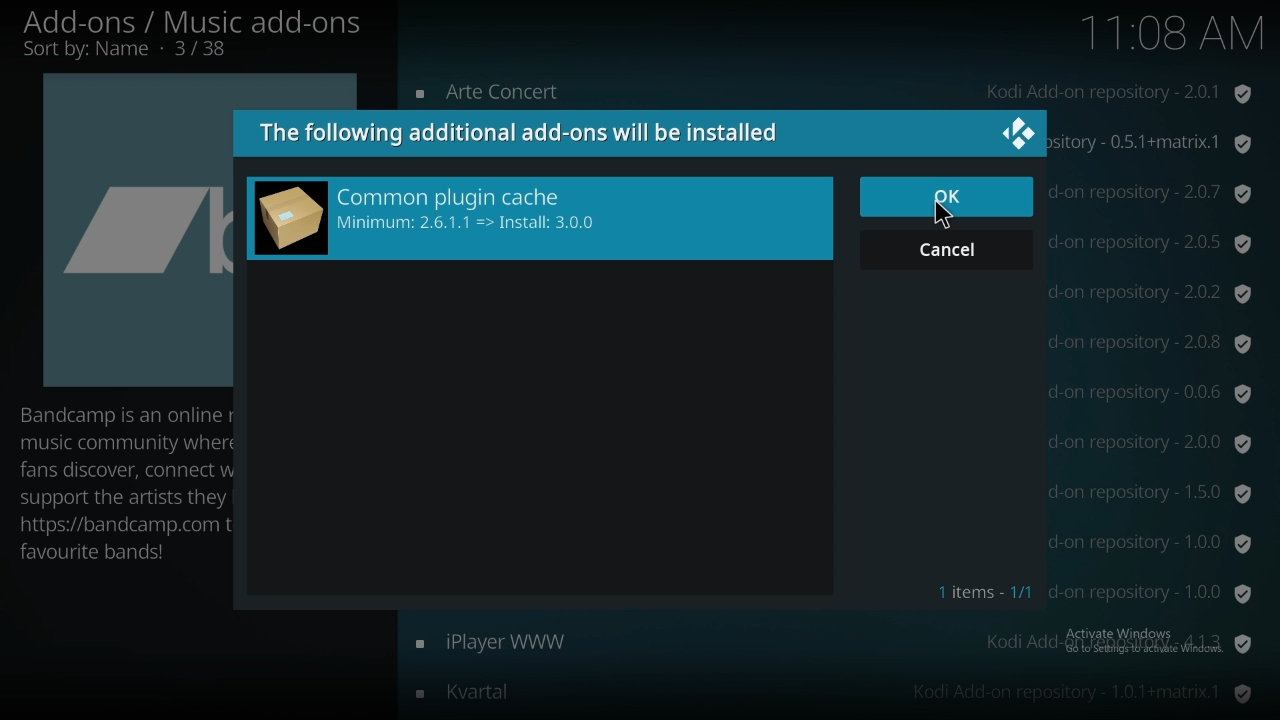 Image resolution: width=1280 pixels, height=720 pixels. I want to click on info, so click(122, 482).